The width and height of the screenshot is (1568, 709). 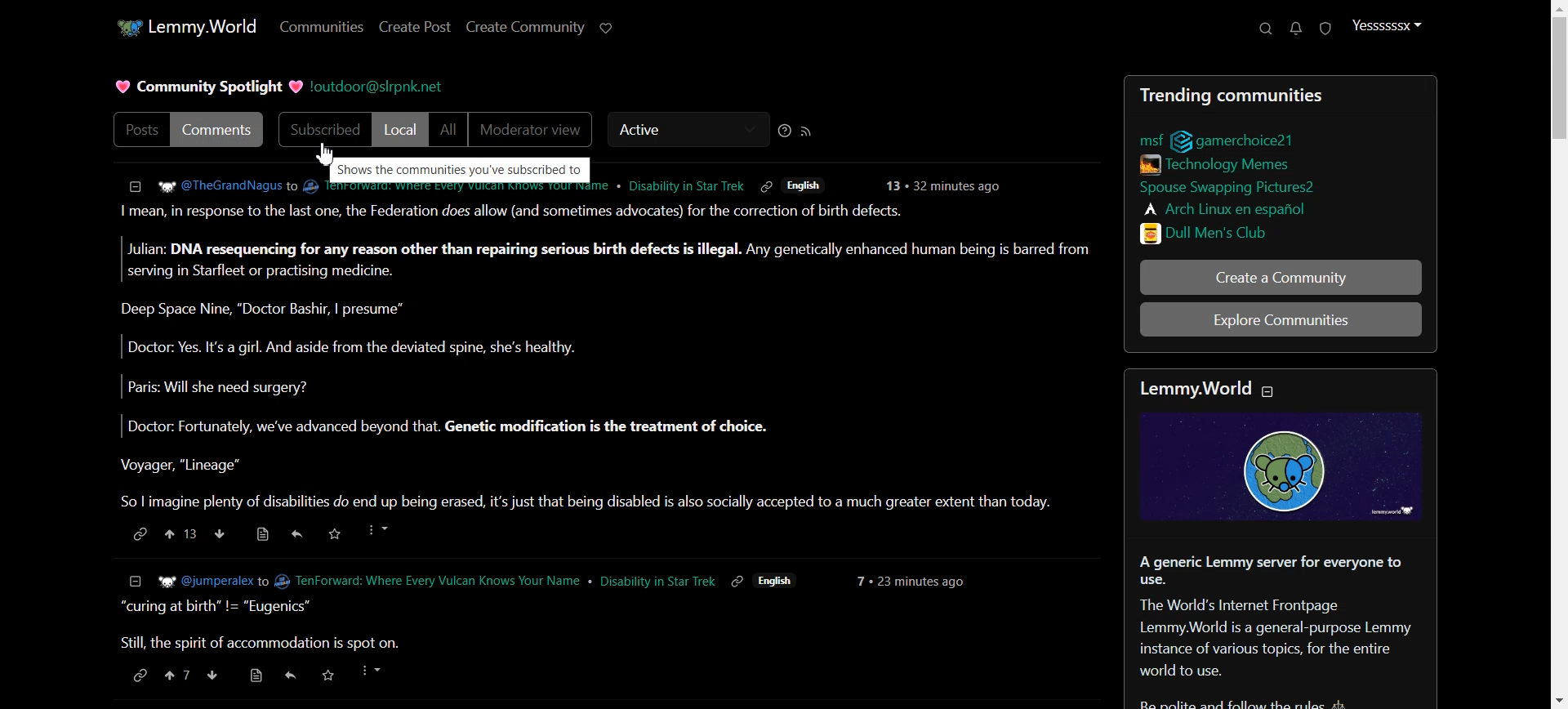 I want to click on LInks, so click(x=1226, y=185).